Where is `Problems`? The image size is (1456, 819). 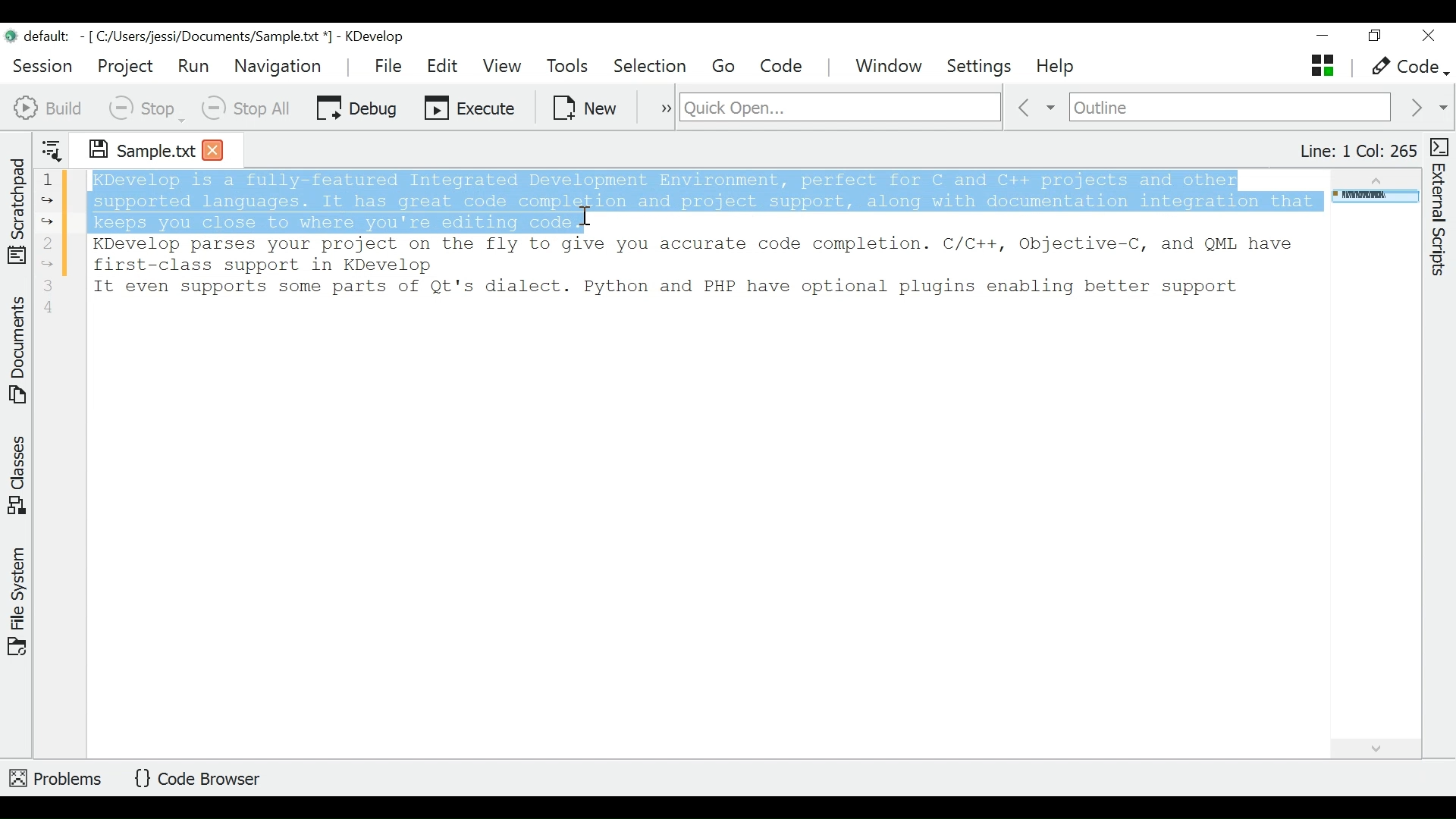 Problems is located at coordinates (57, 776).